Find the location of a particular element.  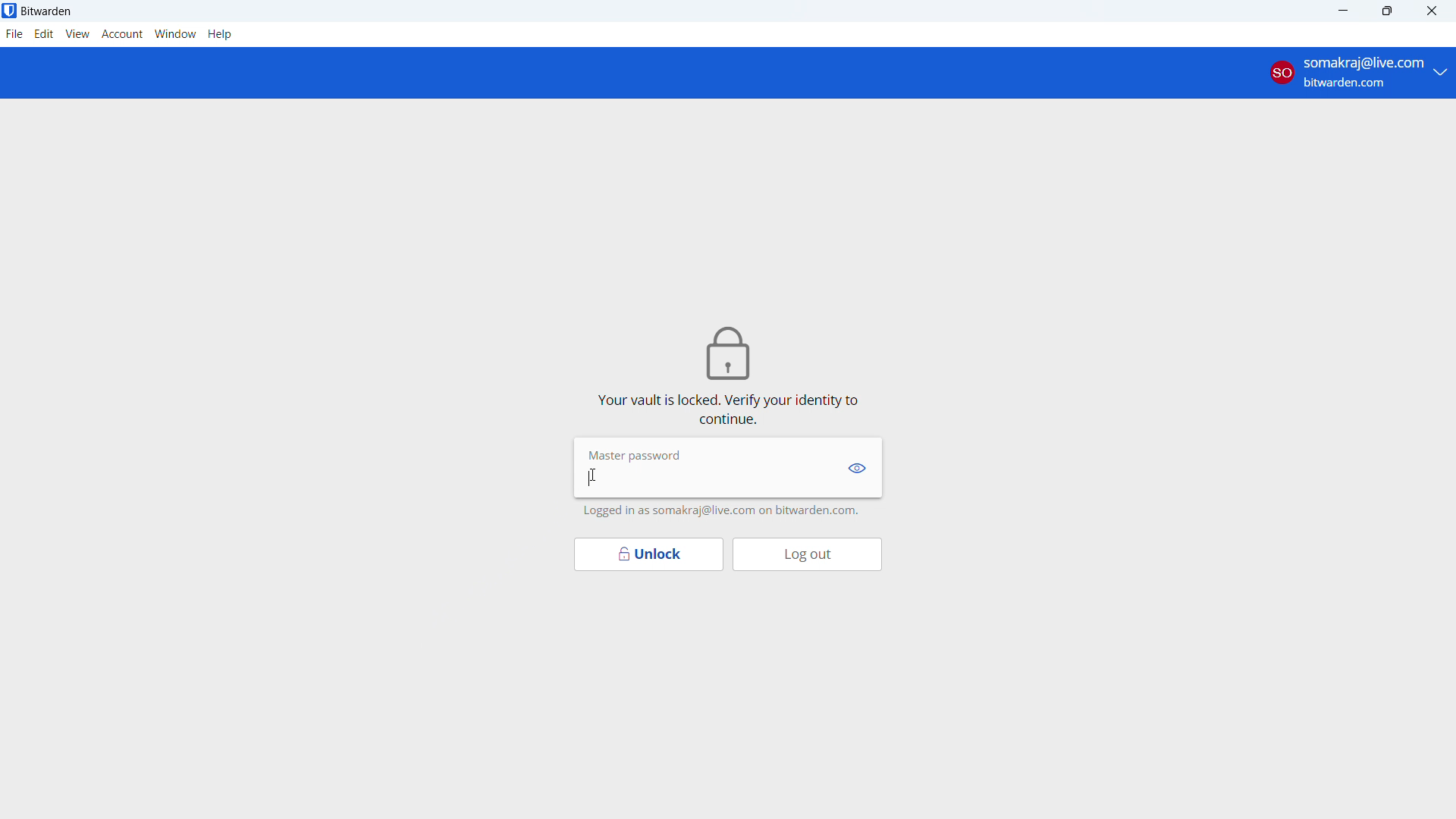

window is located at coordinates (175, 34).